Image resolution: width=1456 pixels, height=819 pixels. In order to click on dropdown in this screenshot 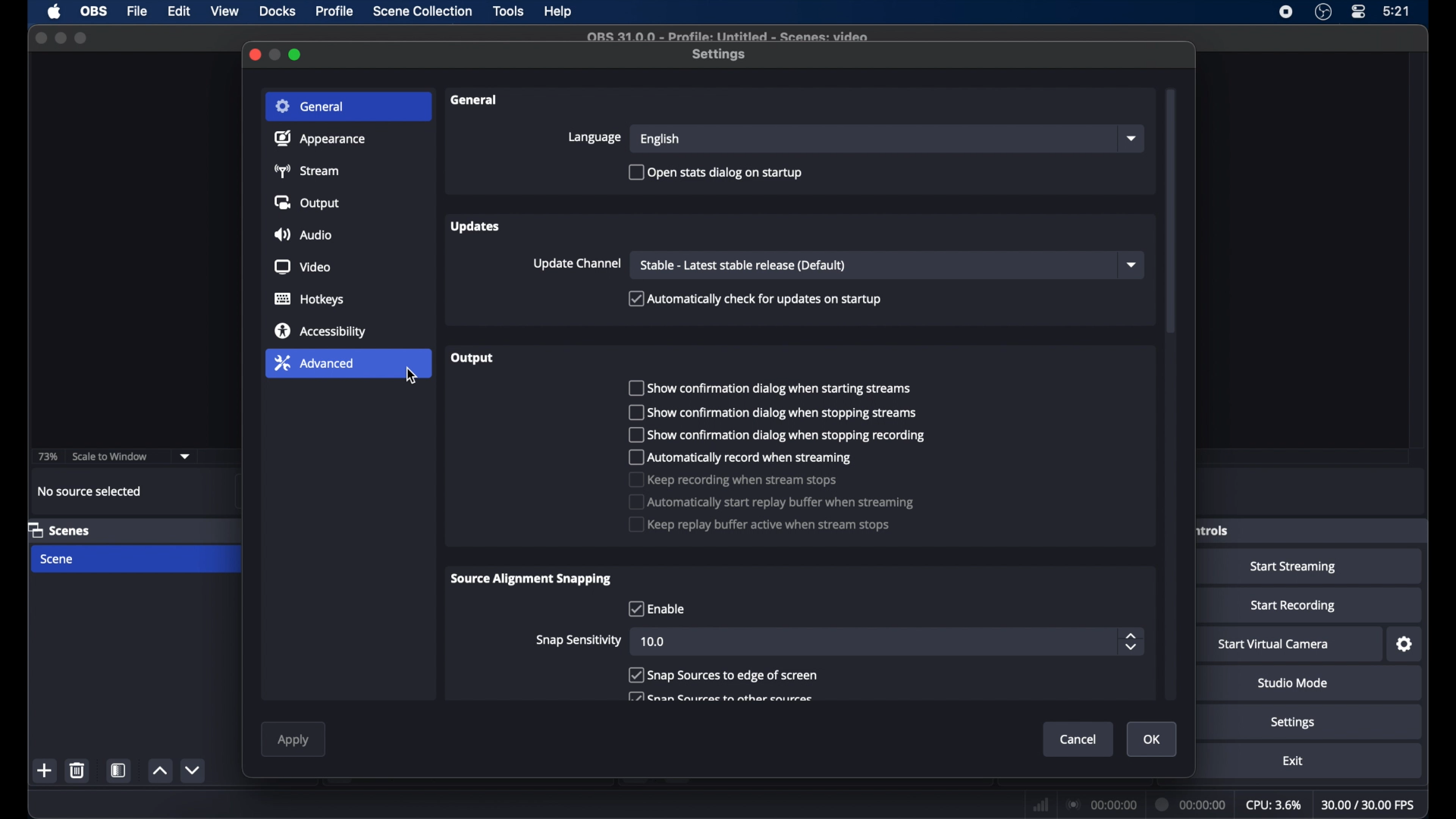, I will do `click(186, 457)`.